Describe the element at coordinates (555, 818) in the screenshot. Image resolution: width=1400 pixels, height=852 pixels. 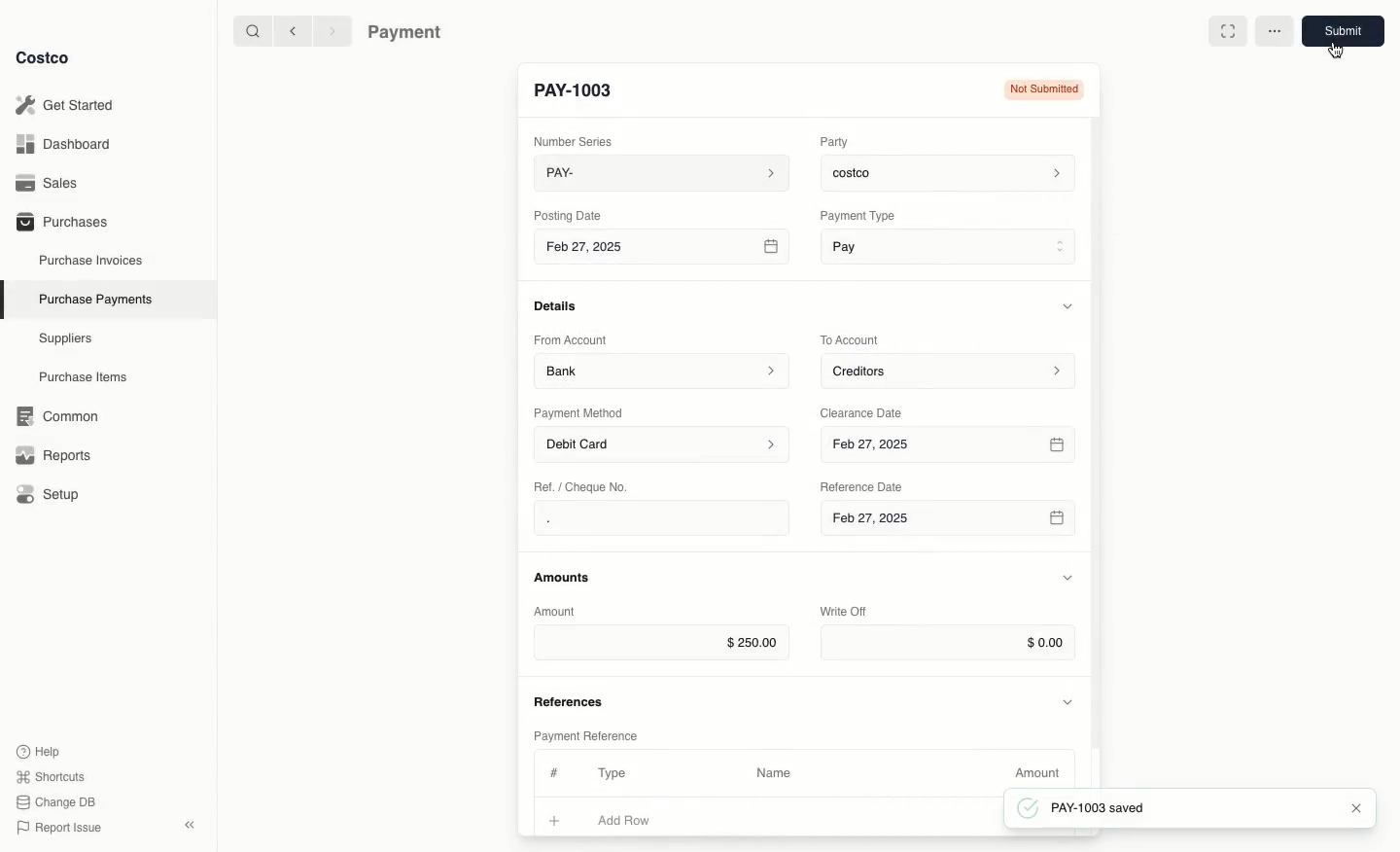
I see `Add` at that location.